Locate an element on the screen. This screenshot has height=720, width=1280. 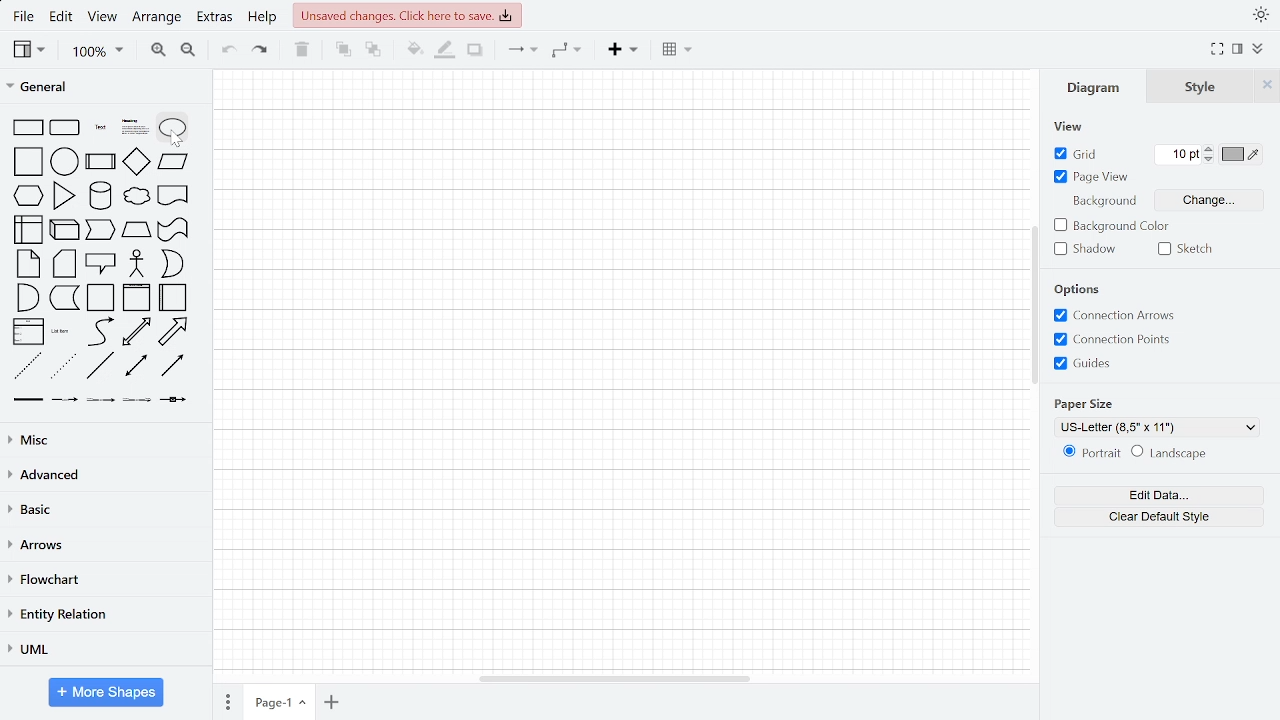
add page is located at coordinates (334, 703).